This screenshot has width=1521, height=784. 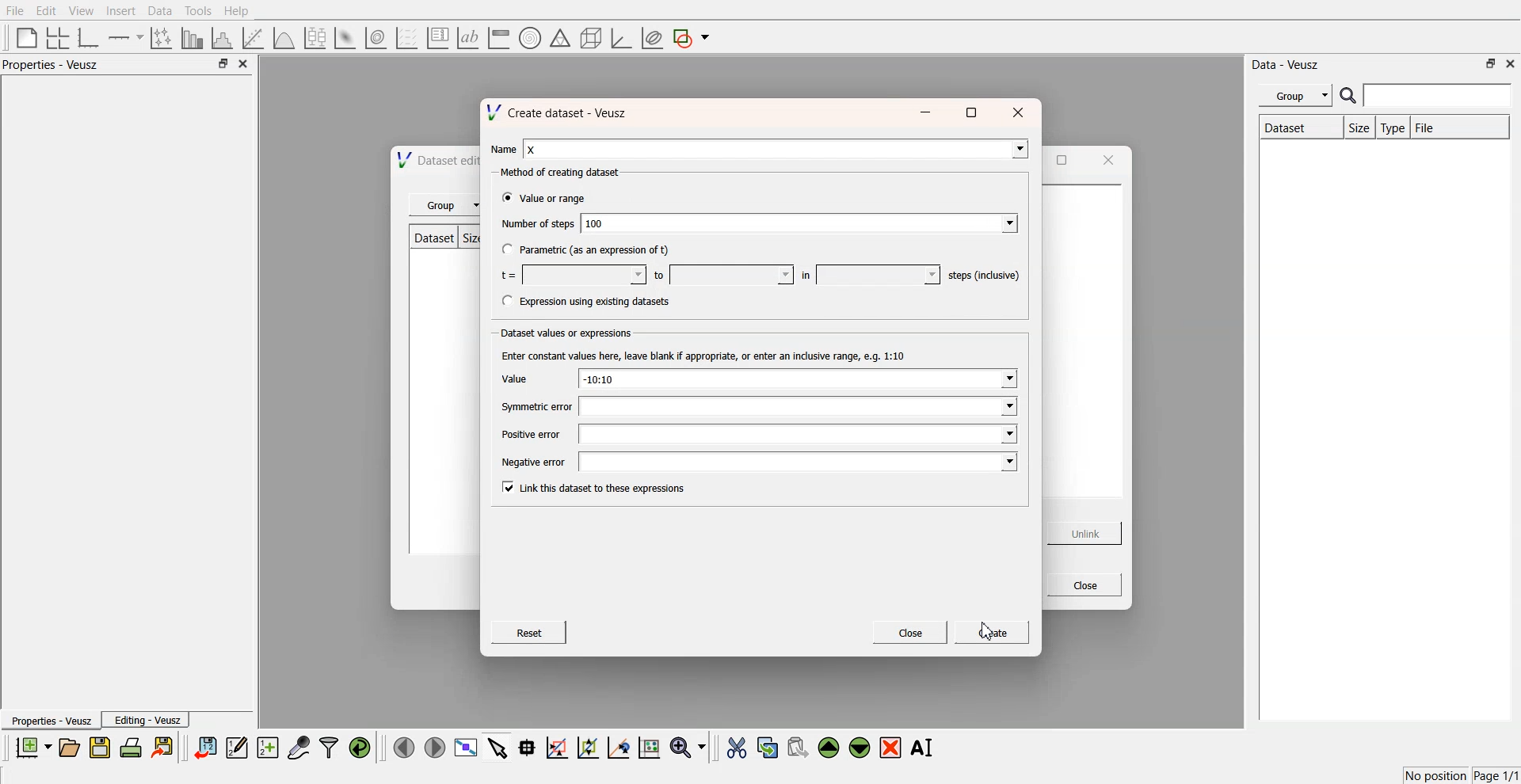 What do you see at coordinates (446, 206) in the screenshot?
I see `Group ~~` at bounding box center [446, 206].